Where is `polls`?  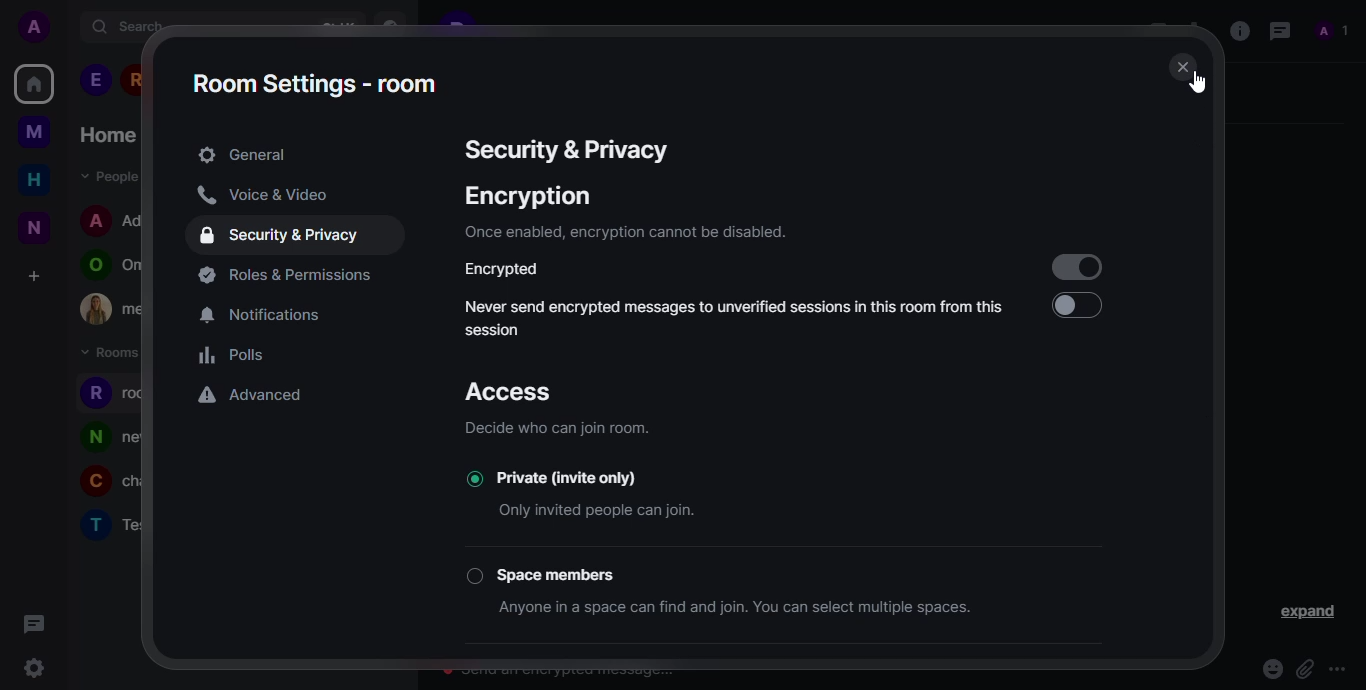 polls is located at coordinates (234, 356).